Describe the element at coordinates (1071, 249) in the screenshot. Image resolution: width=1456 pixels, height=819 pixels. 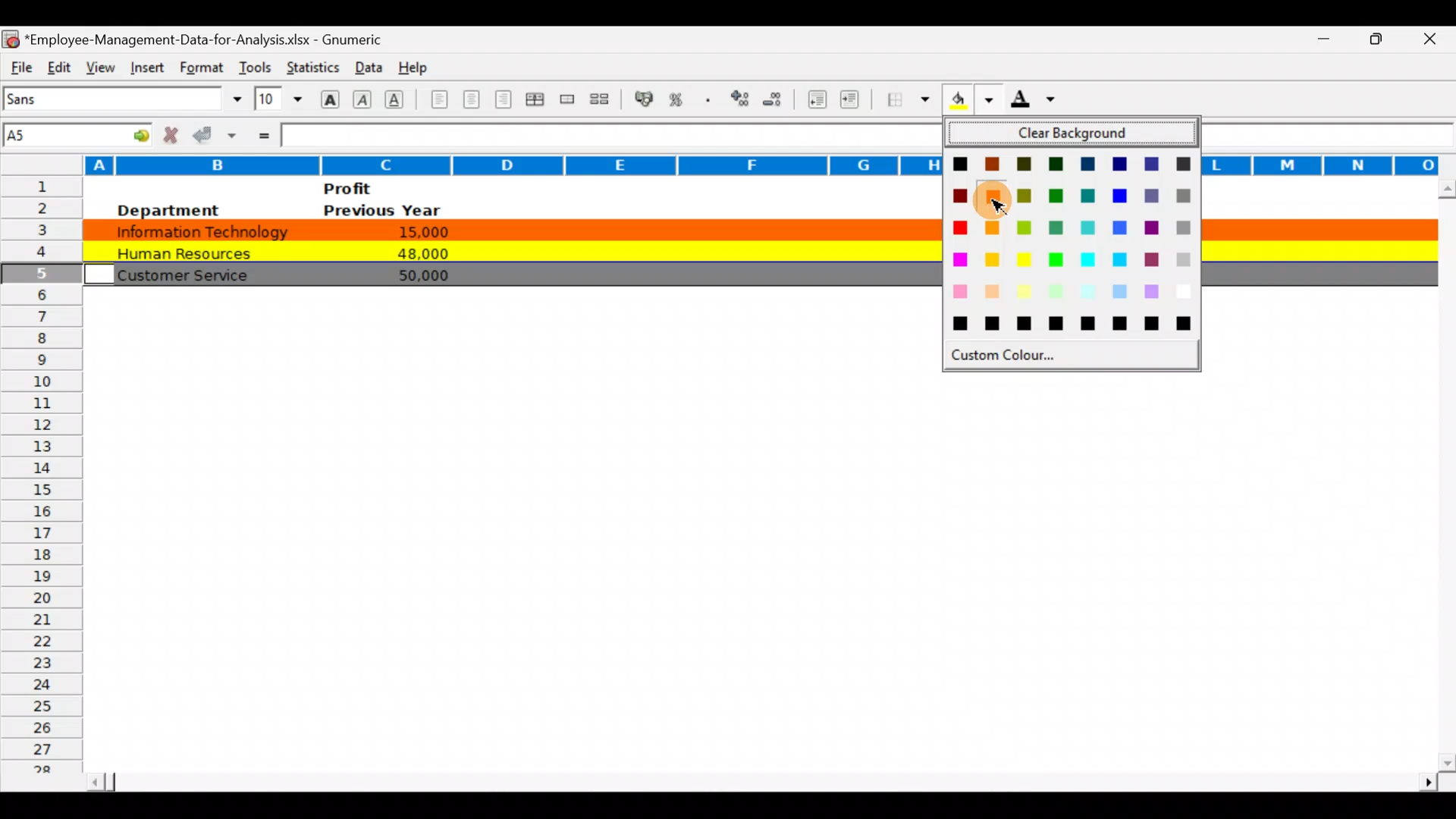
I see `Color palette` at that location.